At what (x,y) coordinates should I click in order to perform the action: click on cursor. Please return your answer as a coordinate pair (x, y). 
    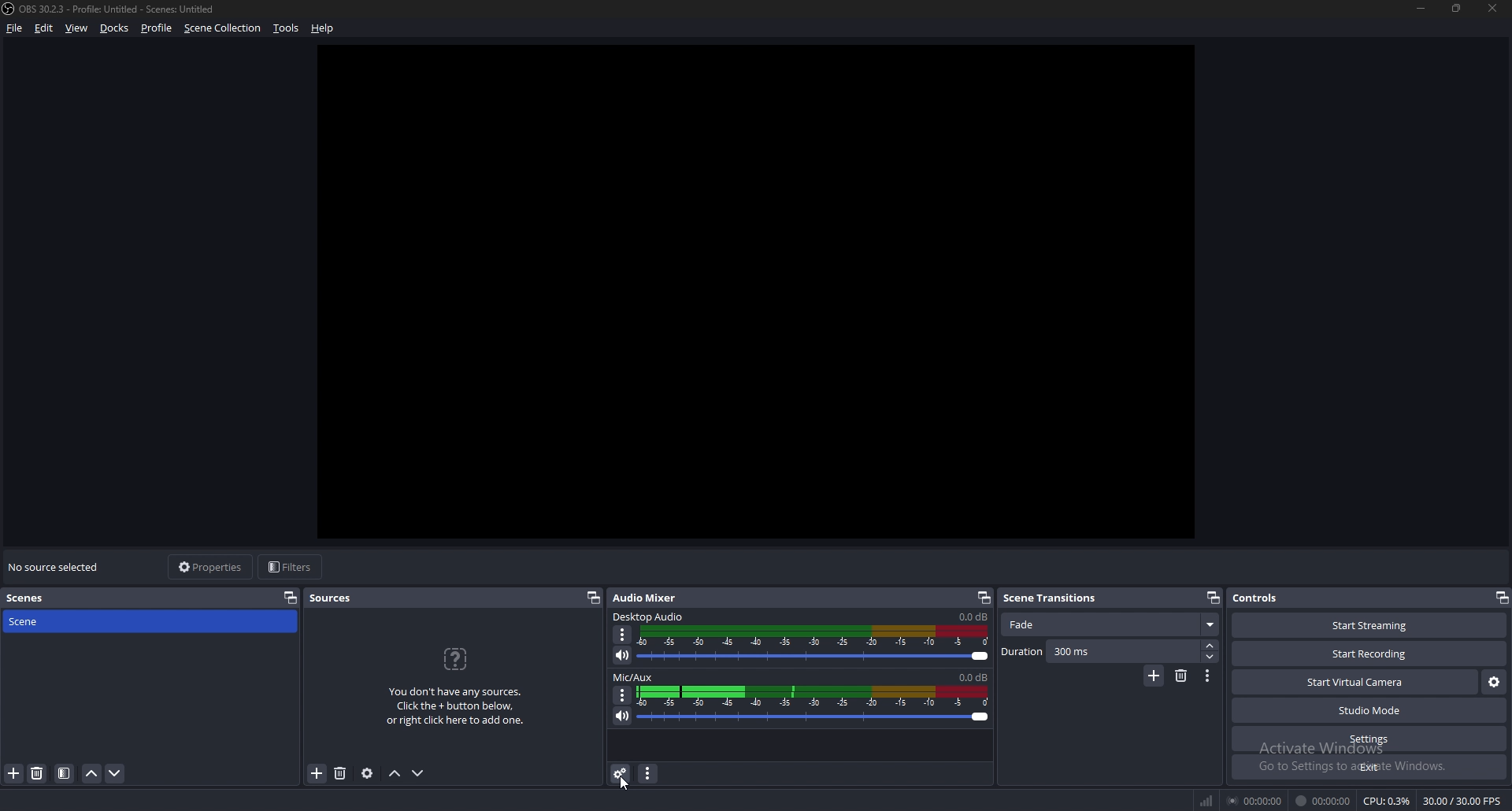
    Looking at the image, I should click on (625, 782).